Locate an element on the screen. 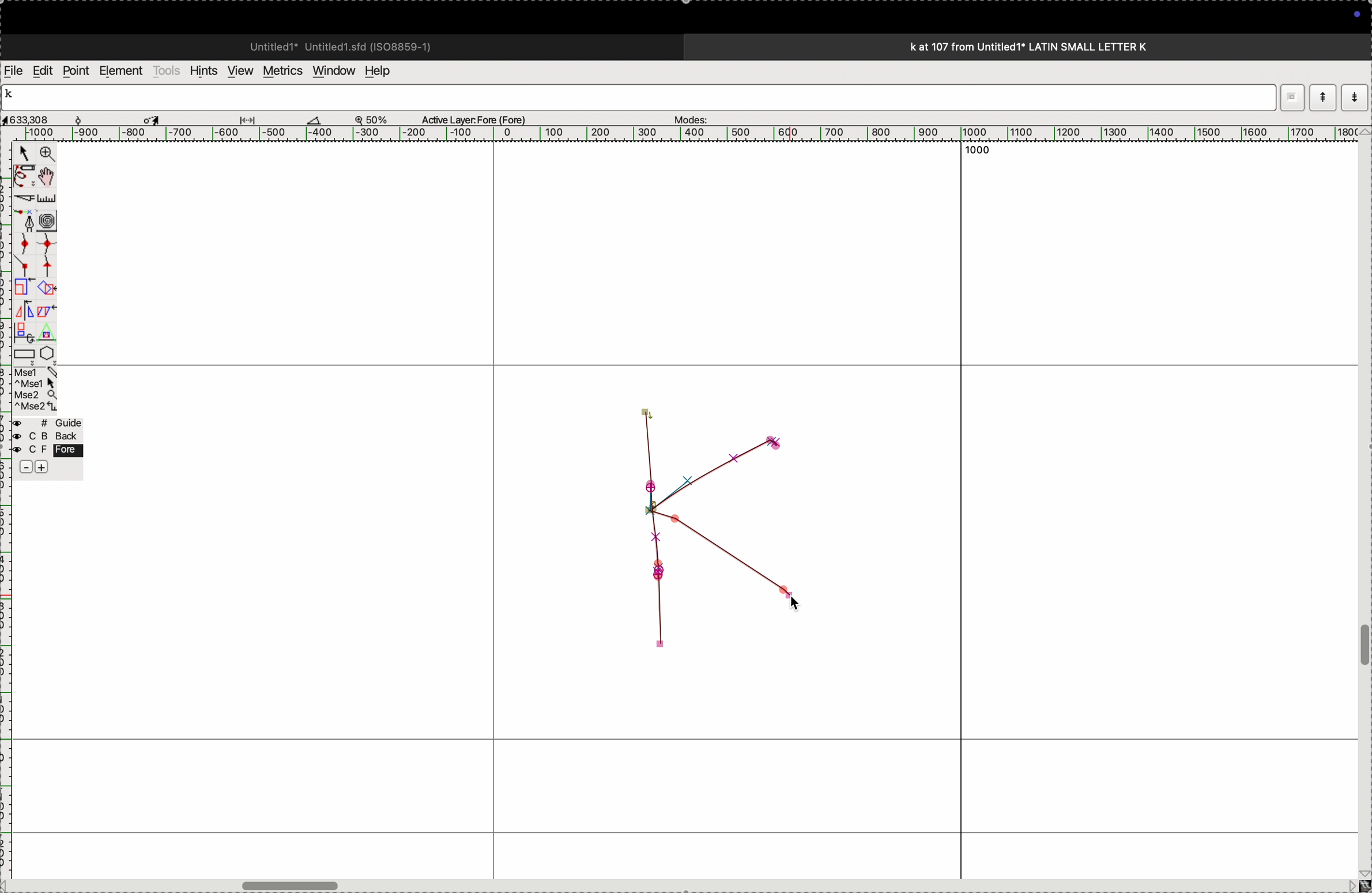 This screenshot has height=893, width=1372. . is located at coordinates (1353, 97).